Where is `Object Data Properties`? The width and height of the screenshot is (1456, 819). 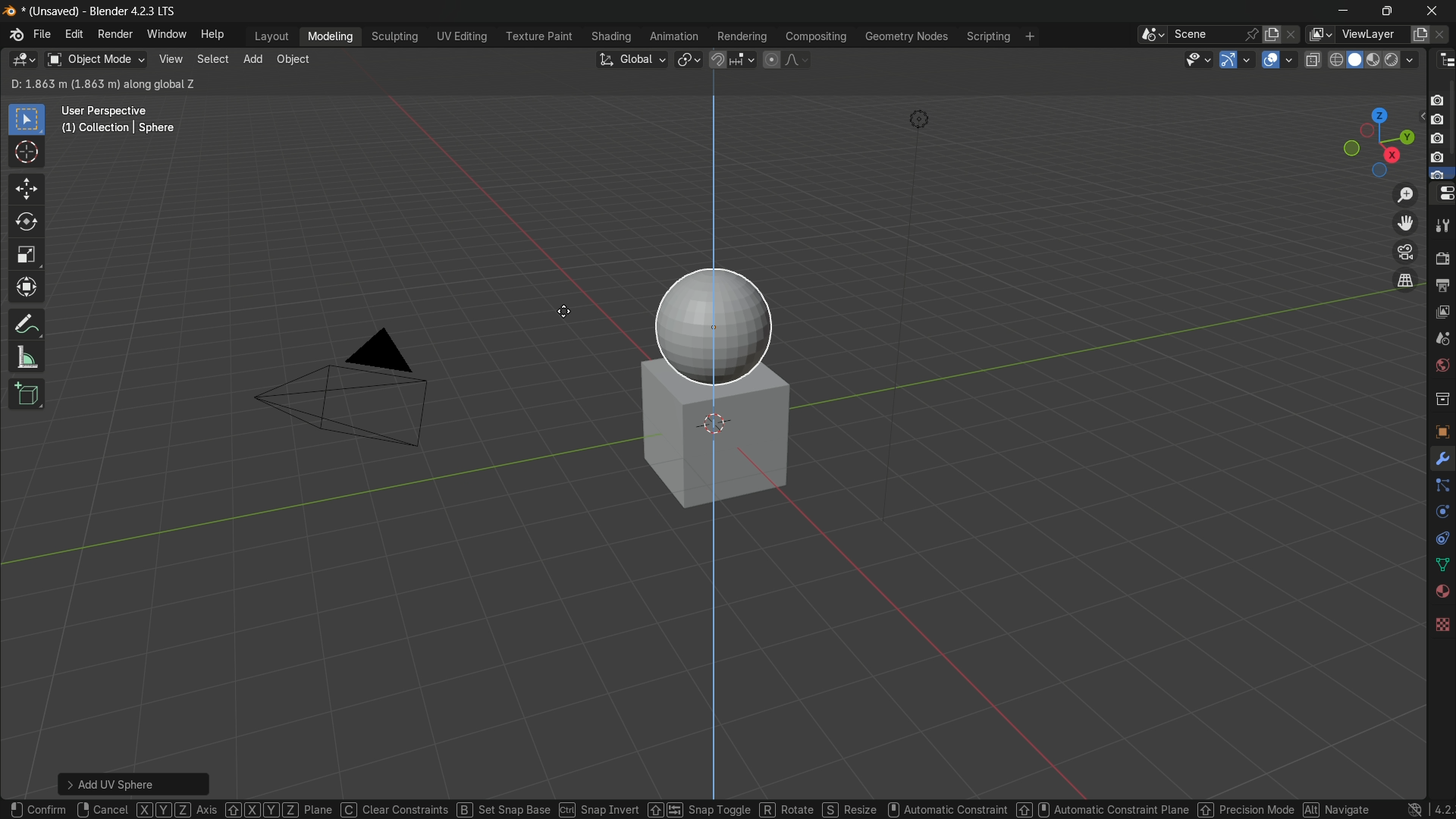 Object Data Properties is located at coordinates (1441, 512).